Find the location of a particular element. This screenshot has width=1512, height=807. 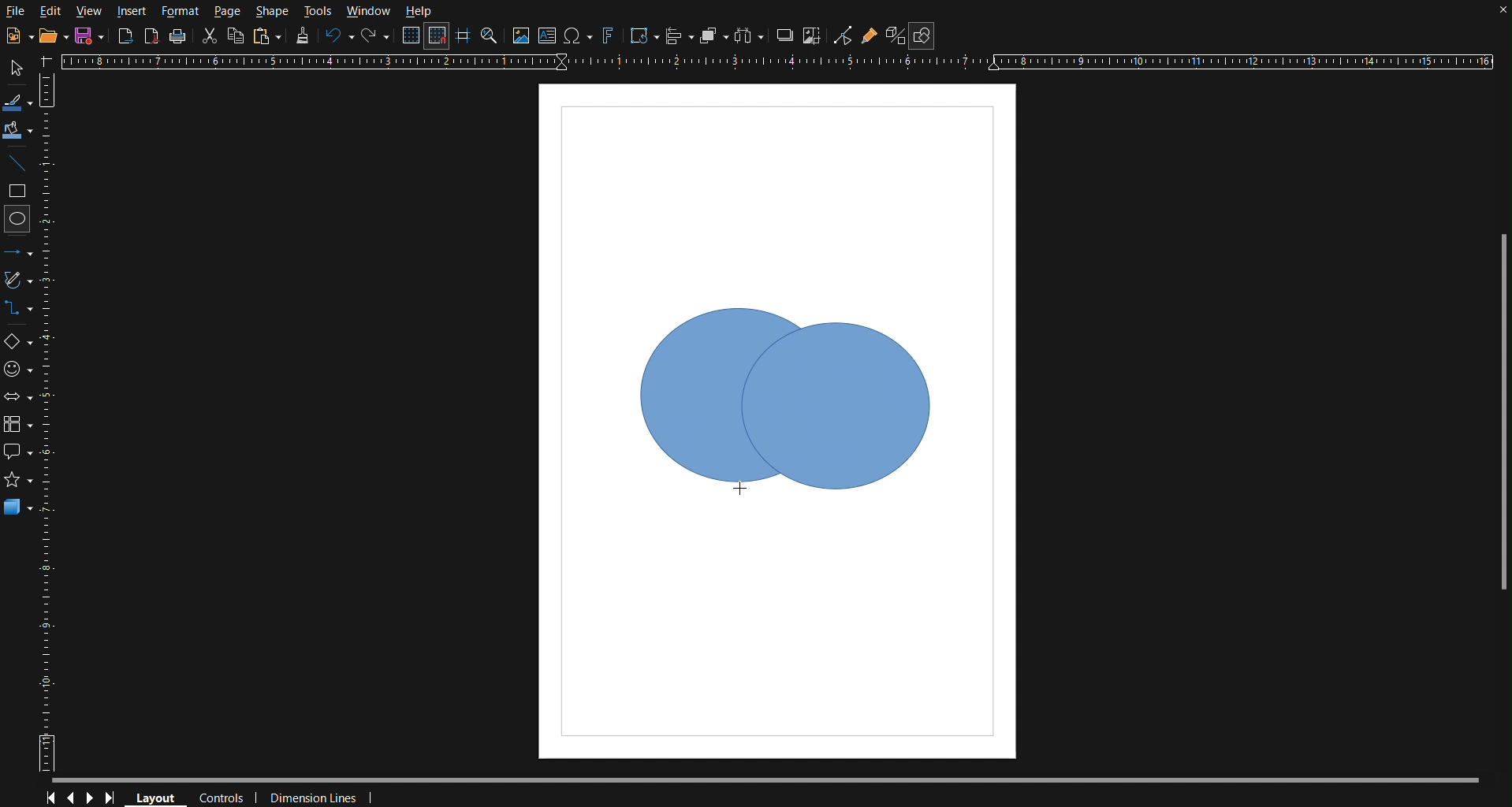

New is located at coordinates (15, 33).